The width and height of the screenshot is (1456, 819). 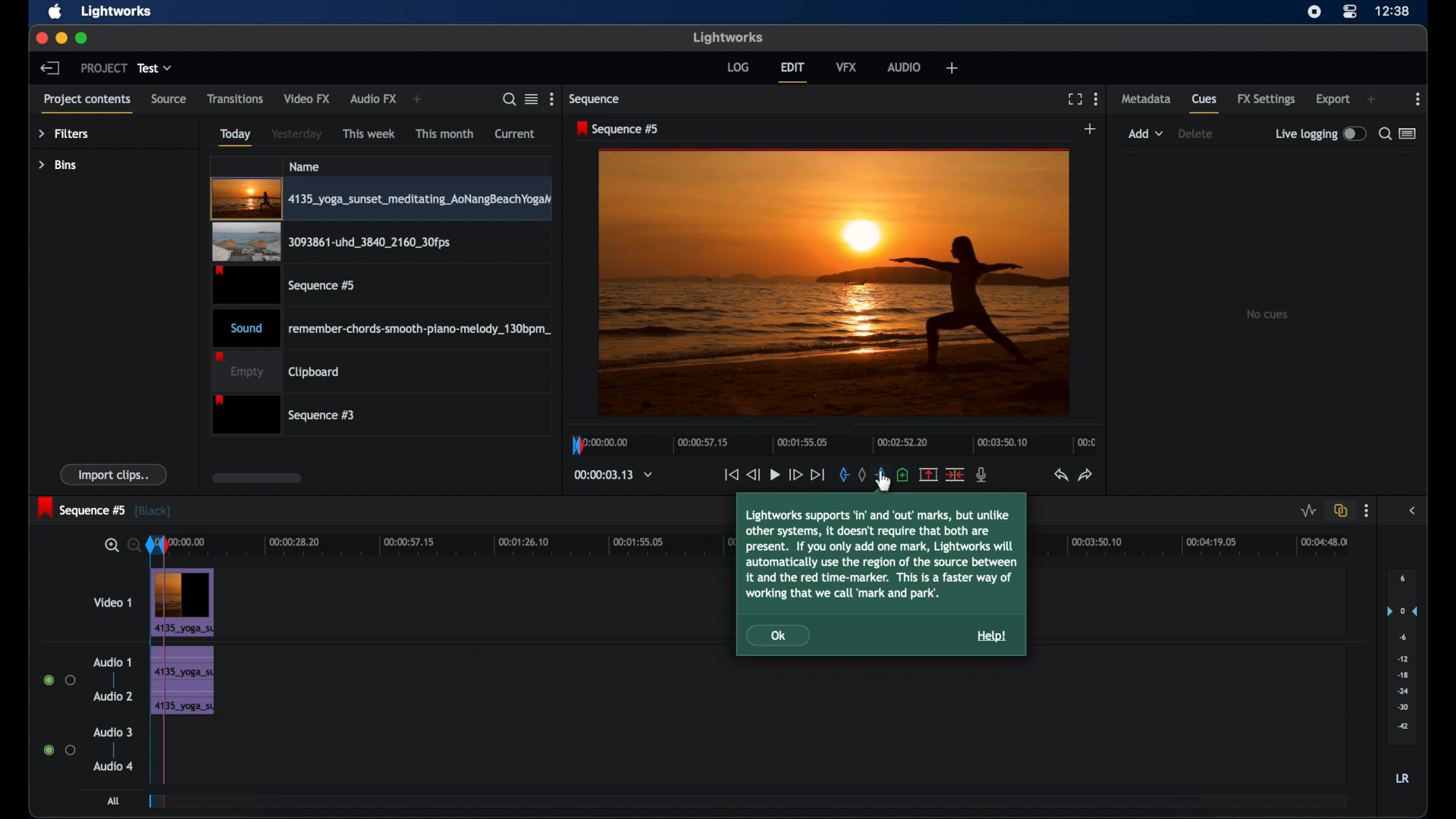 I want to click on jump to end, so click(x=817, y=474).